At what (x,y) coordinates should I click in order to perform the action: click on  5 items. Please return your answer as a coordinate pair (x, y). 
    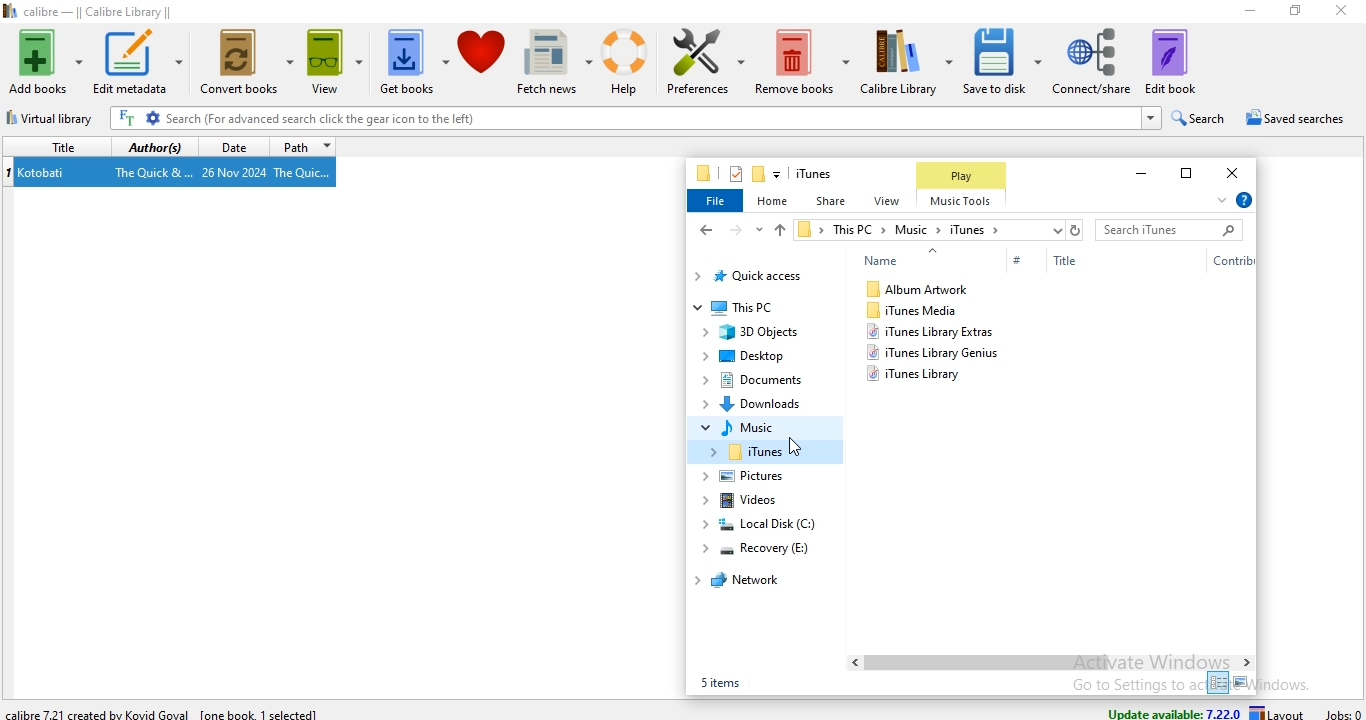
    Looking at the image, I should click on (718, 682).